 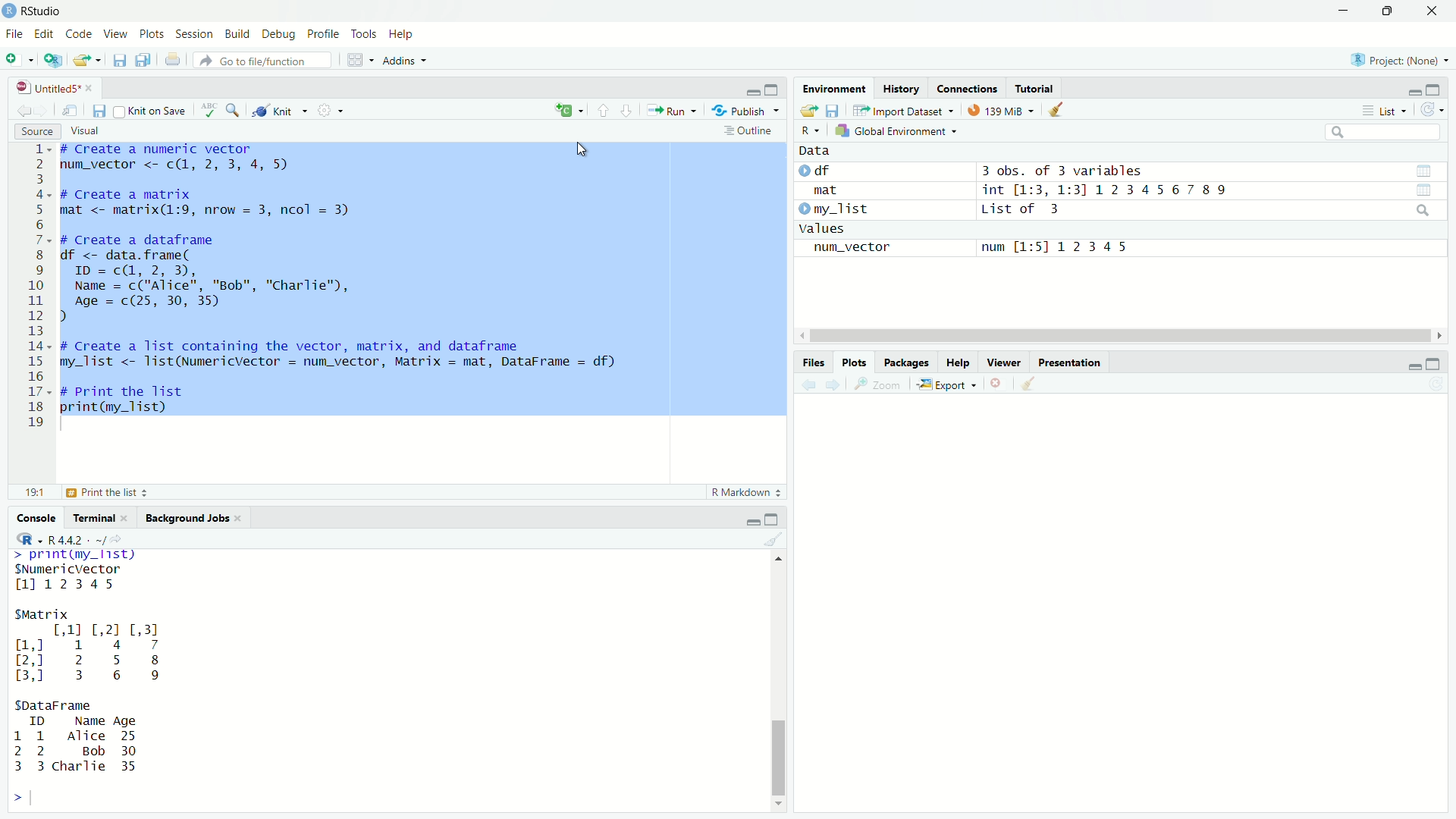 I want to click on minimise, so click(x=740, y=91).